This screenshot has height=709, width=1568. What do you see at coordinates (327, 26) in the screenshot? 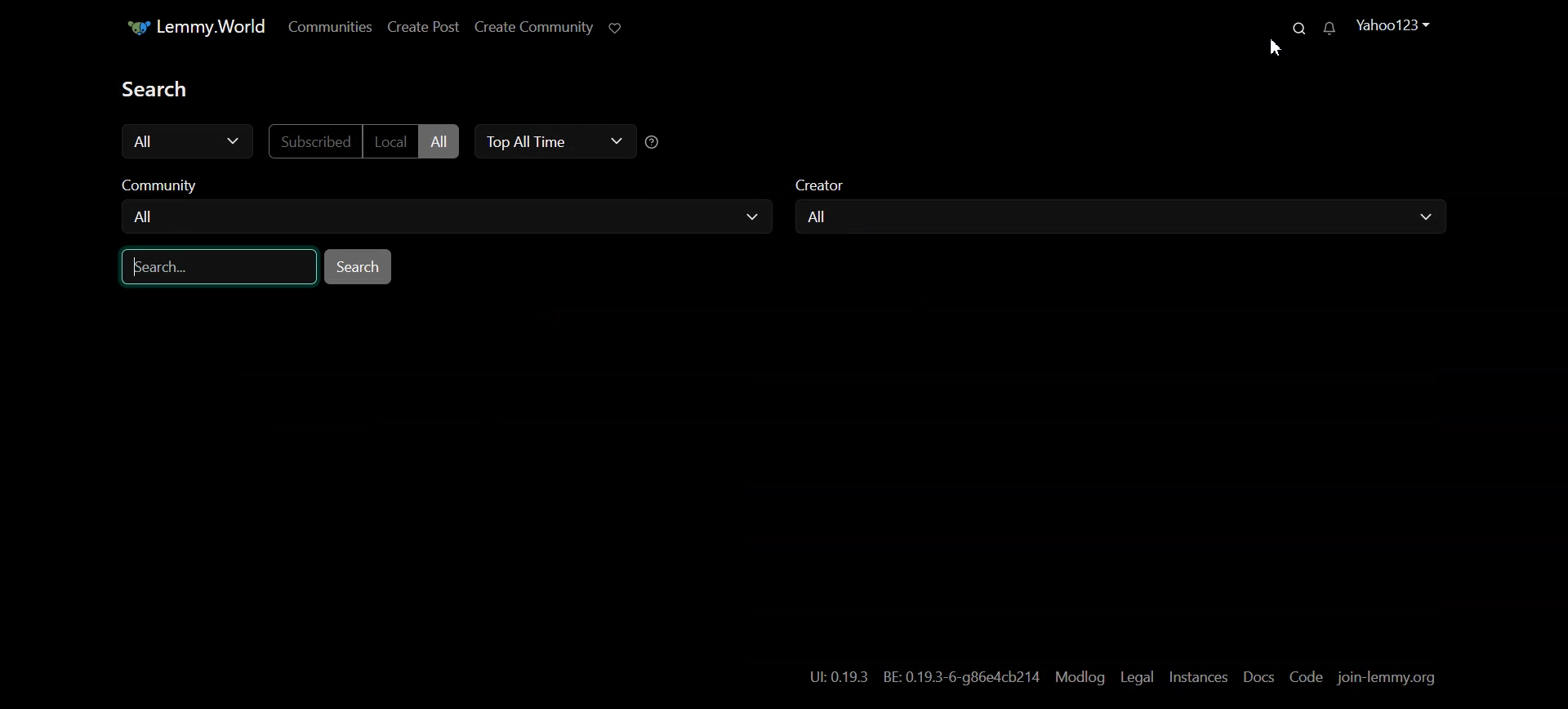
I see `Communities` at bounding box center [327, 26].